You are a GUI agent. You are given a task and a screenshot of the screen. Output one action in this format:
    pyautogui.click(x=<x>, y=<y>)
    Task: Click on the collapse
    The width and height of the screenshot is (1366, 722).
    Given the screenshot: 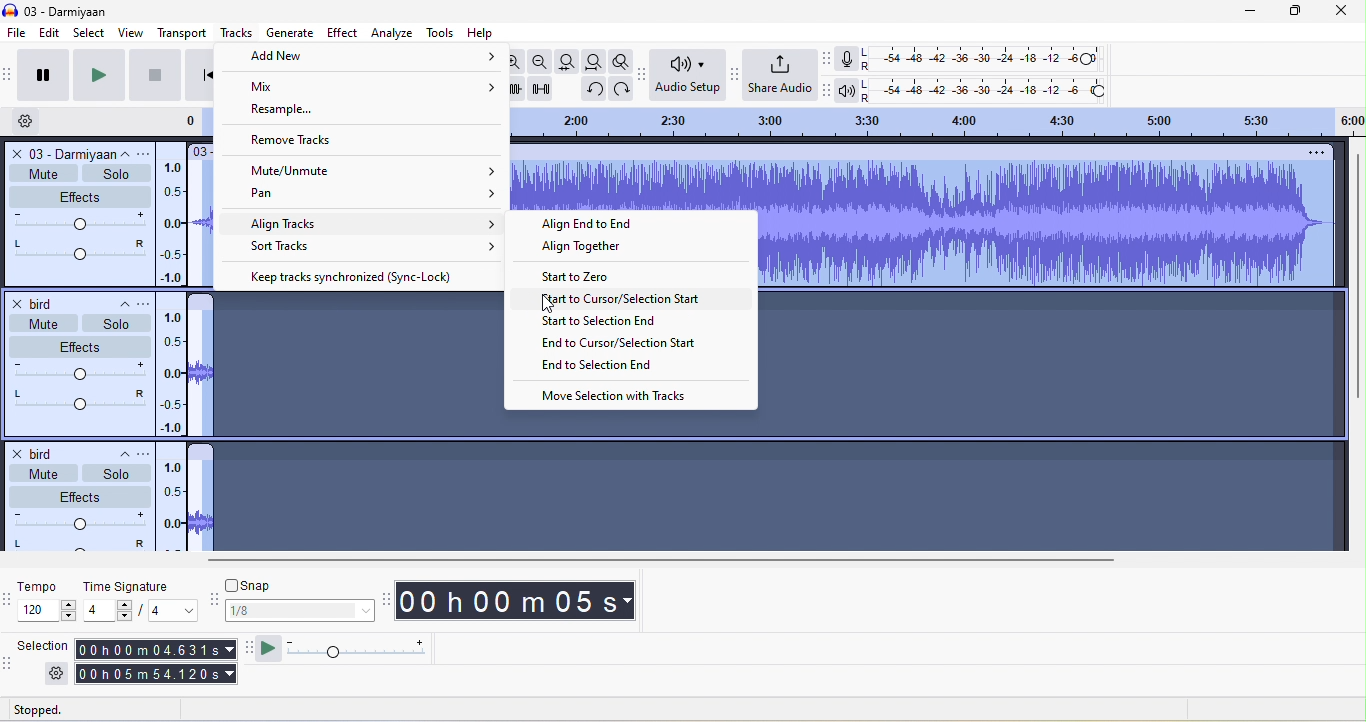 What is the action you would take?
    pyautogui.click(x=119, y=457)
    